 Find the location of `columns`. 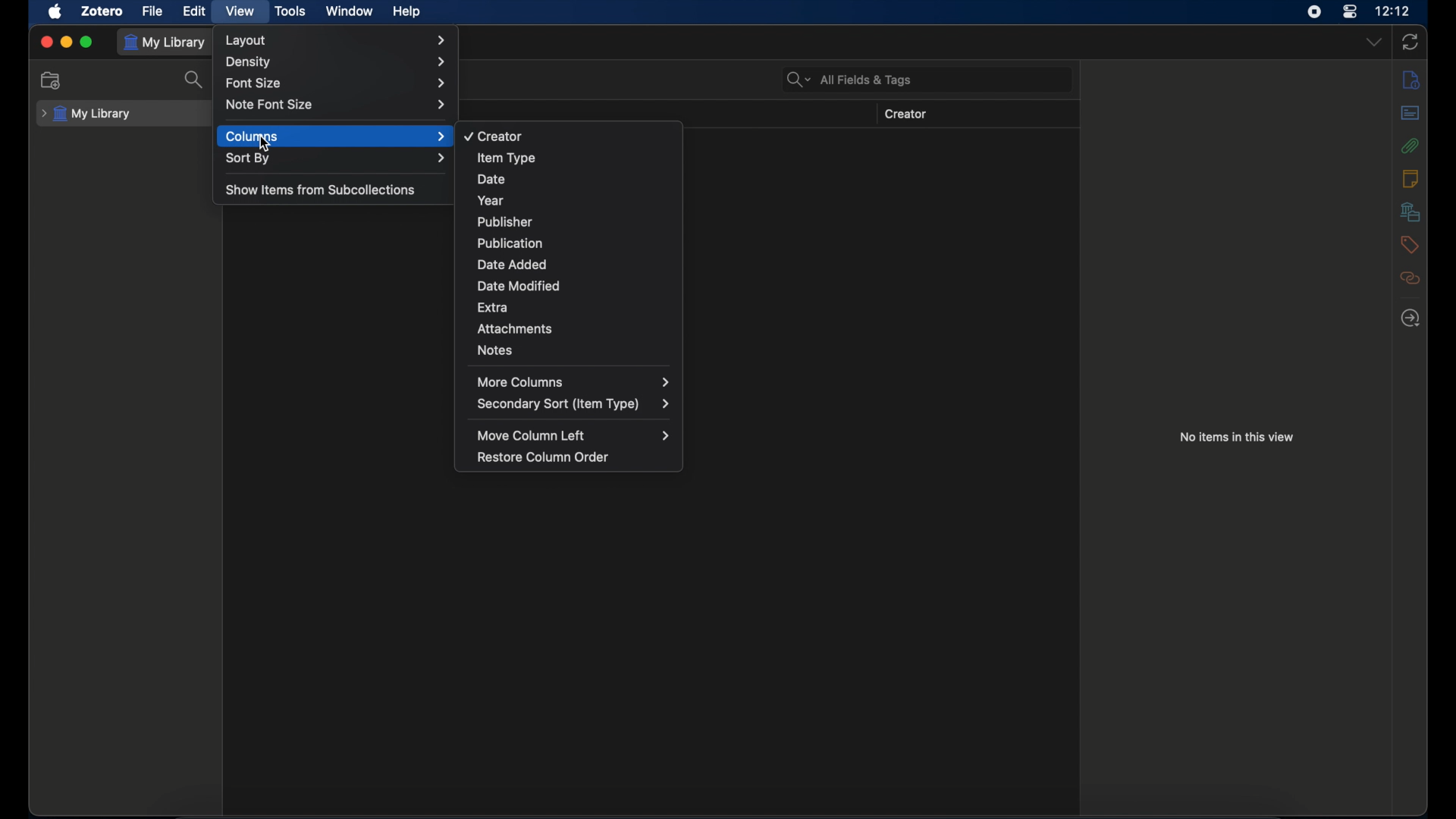

columns is located at coordinates (336, 136).